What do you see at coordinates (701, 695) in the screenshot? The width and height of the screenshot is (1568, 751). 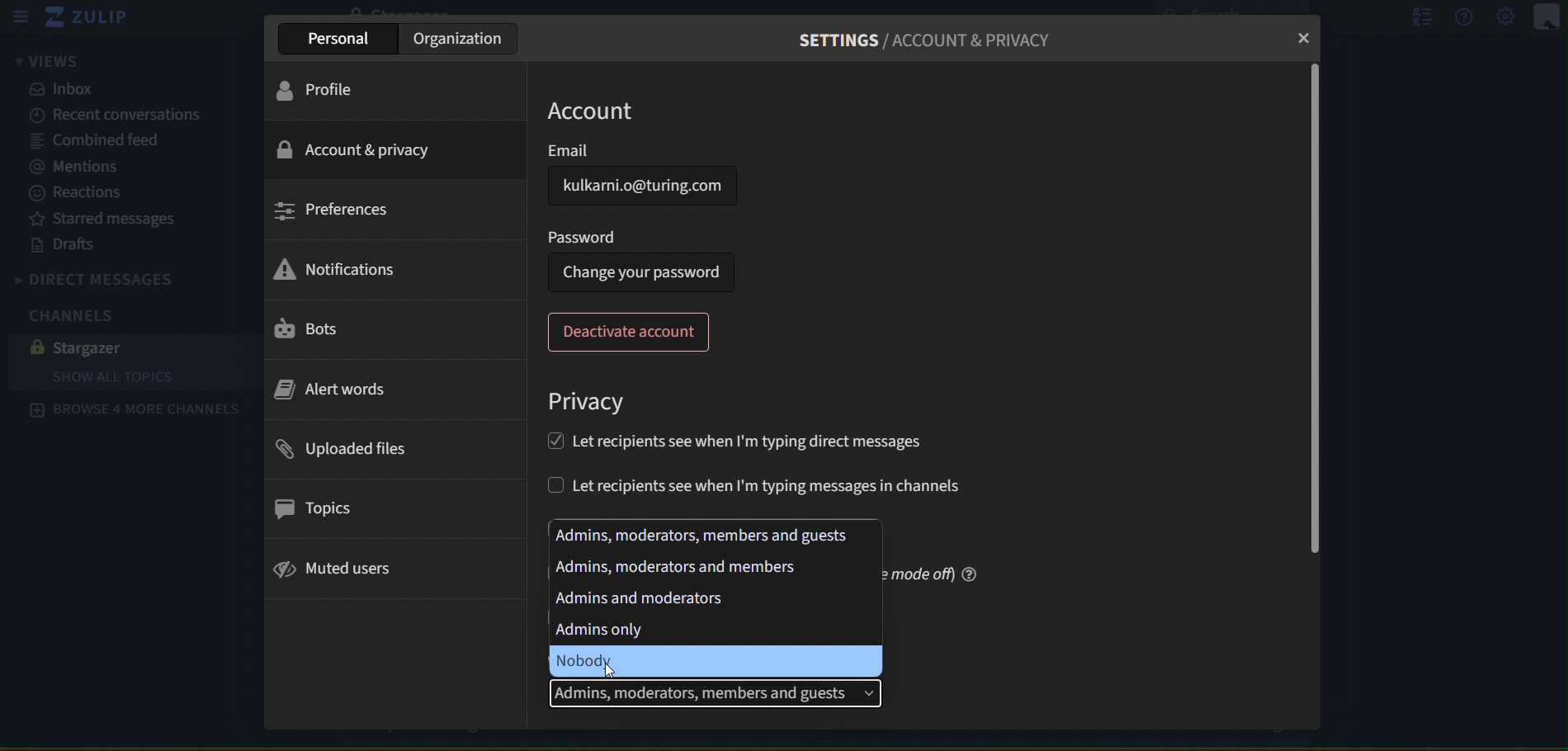 I see `admins, moderators, members and guests` at bounding box center [701, 695].